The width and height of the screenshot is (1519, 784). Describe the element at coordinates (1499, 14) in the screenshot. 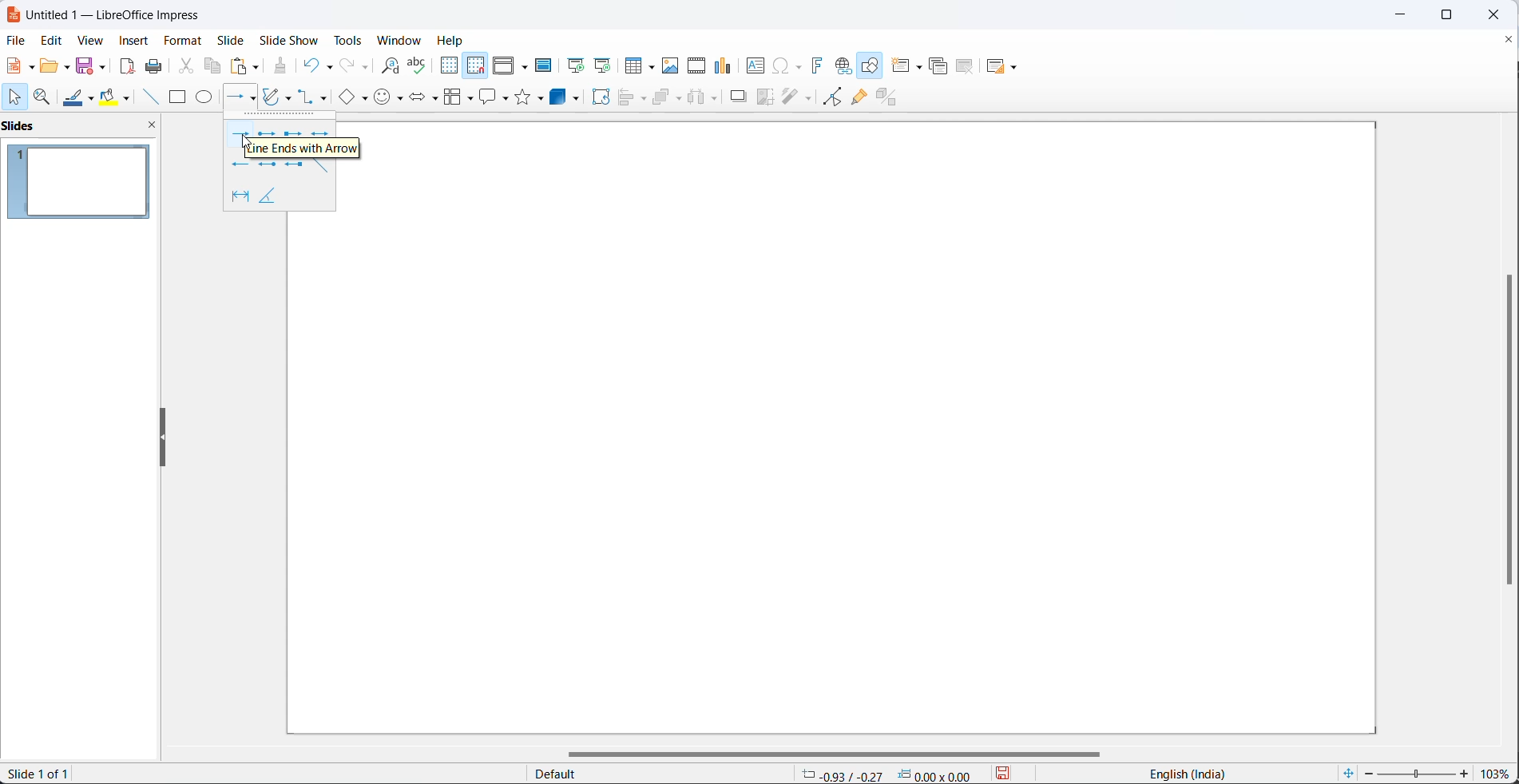

I see `close` at that location.